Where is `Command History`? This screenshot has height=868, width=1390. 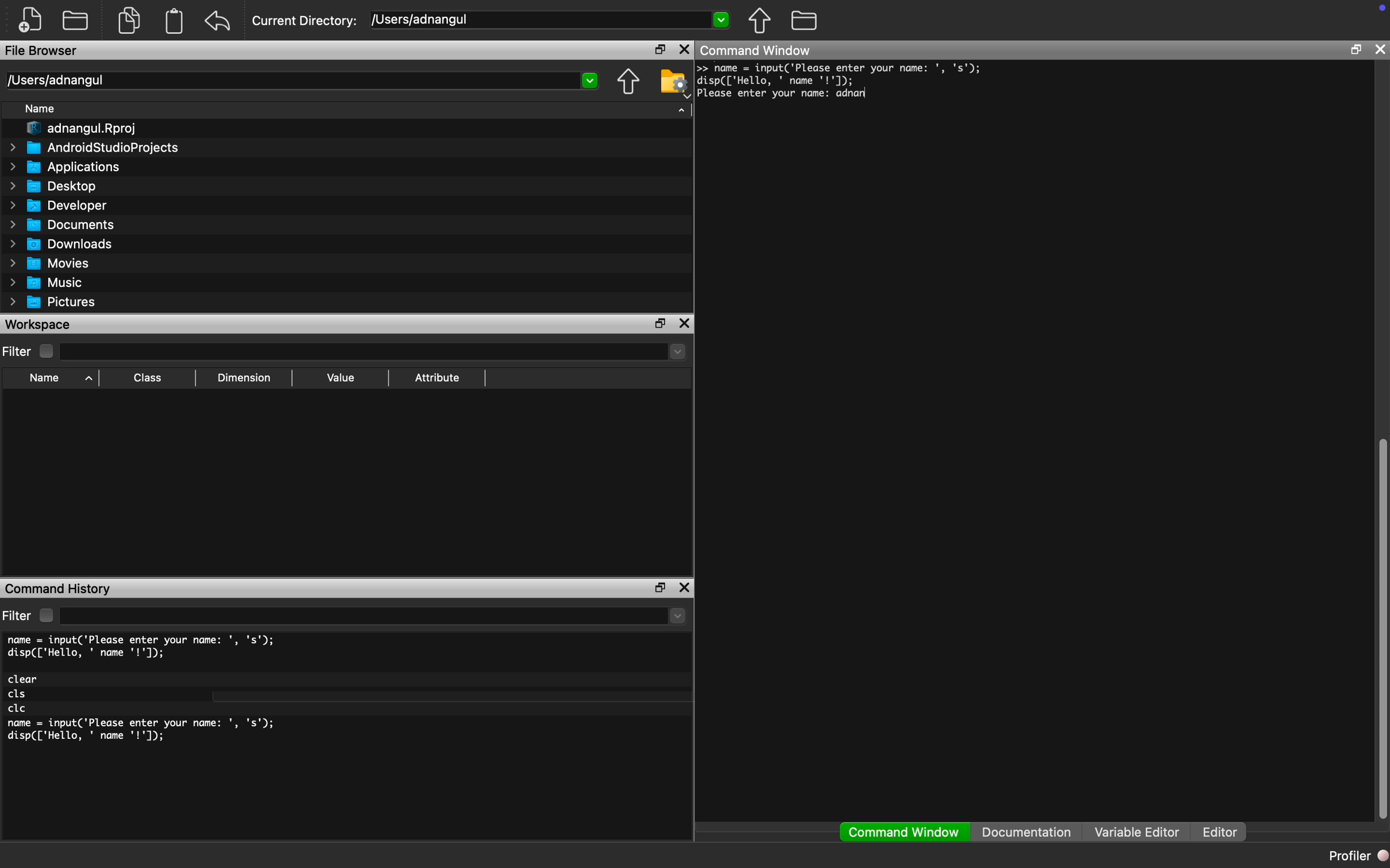
Command History is located at coordinates (58, 590).